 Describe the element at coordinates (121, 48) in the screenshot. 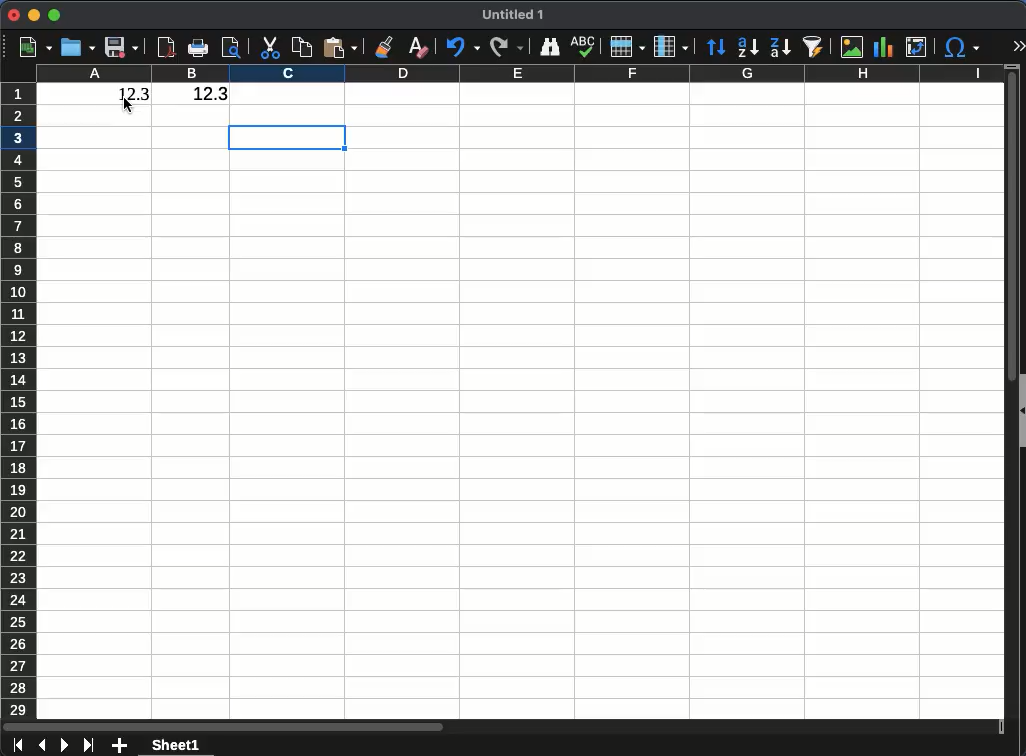

I see `save` at that location.